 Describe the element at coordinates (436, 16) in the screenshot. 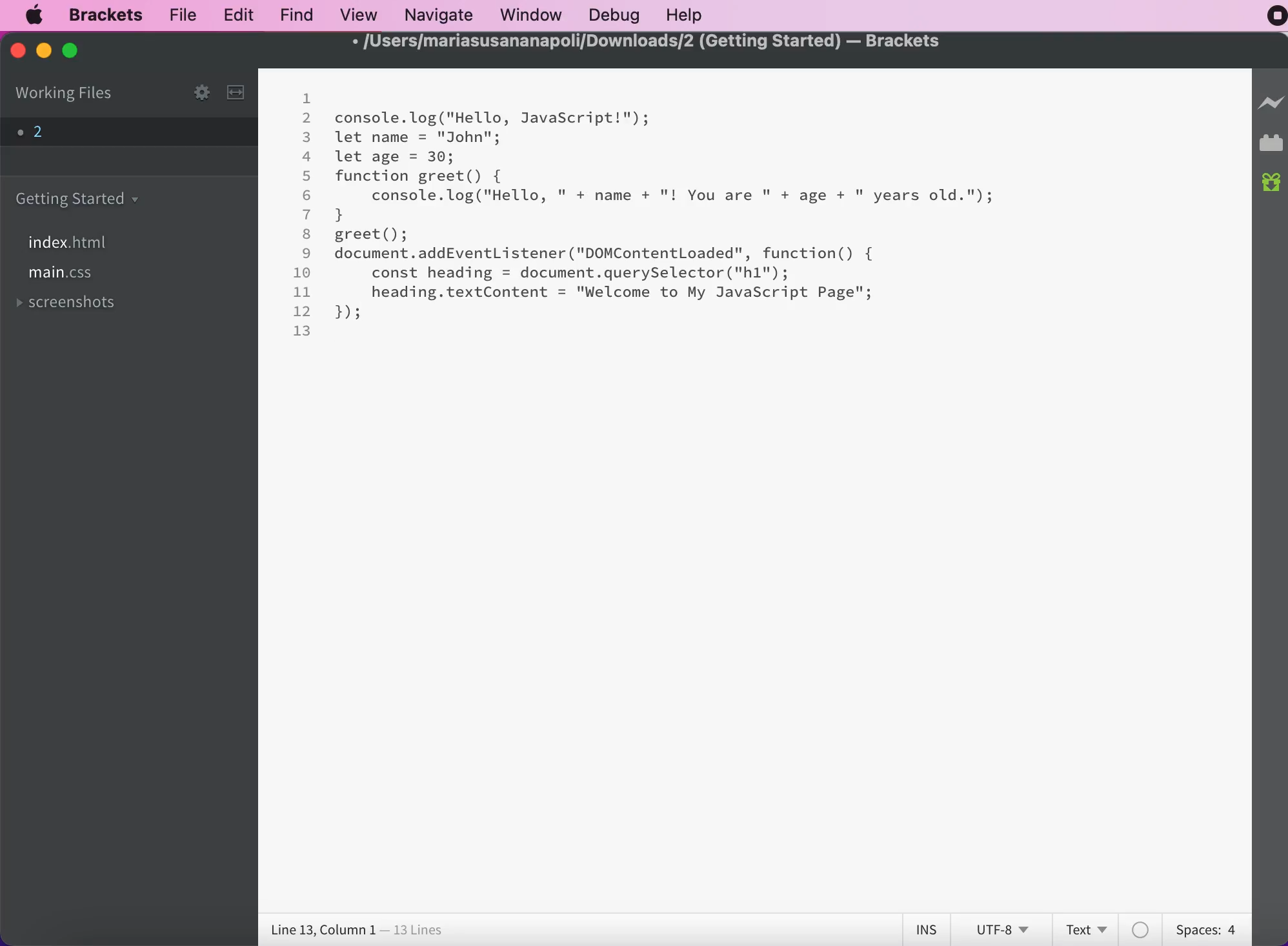

I see `navigate` at that location.